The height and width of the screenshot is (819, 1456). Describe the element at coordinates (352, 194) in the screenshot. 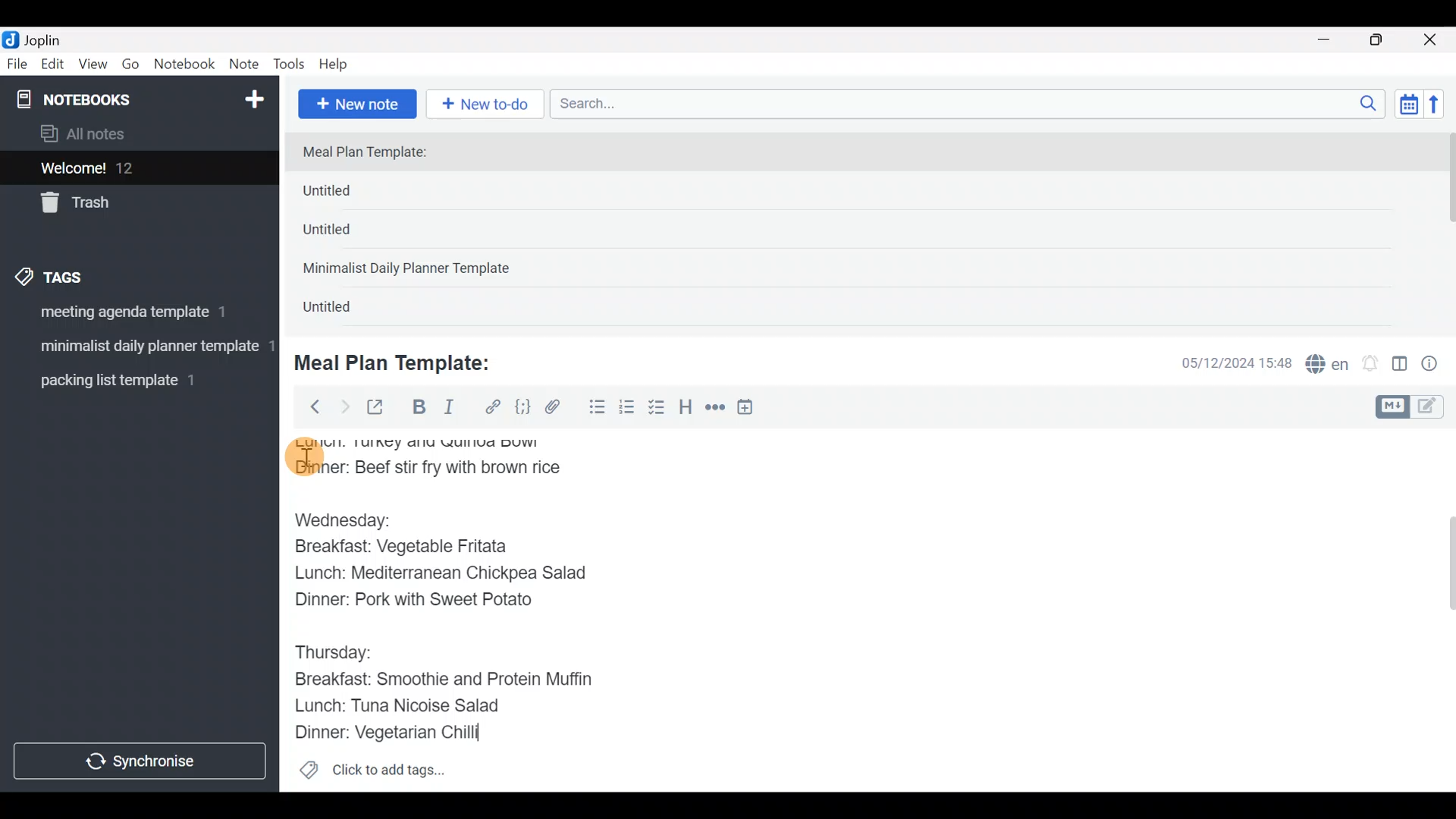

I see `Untitled` at that location.